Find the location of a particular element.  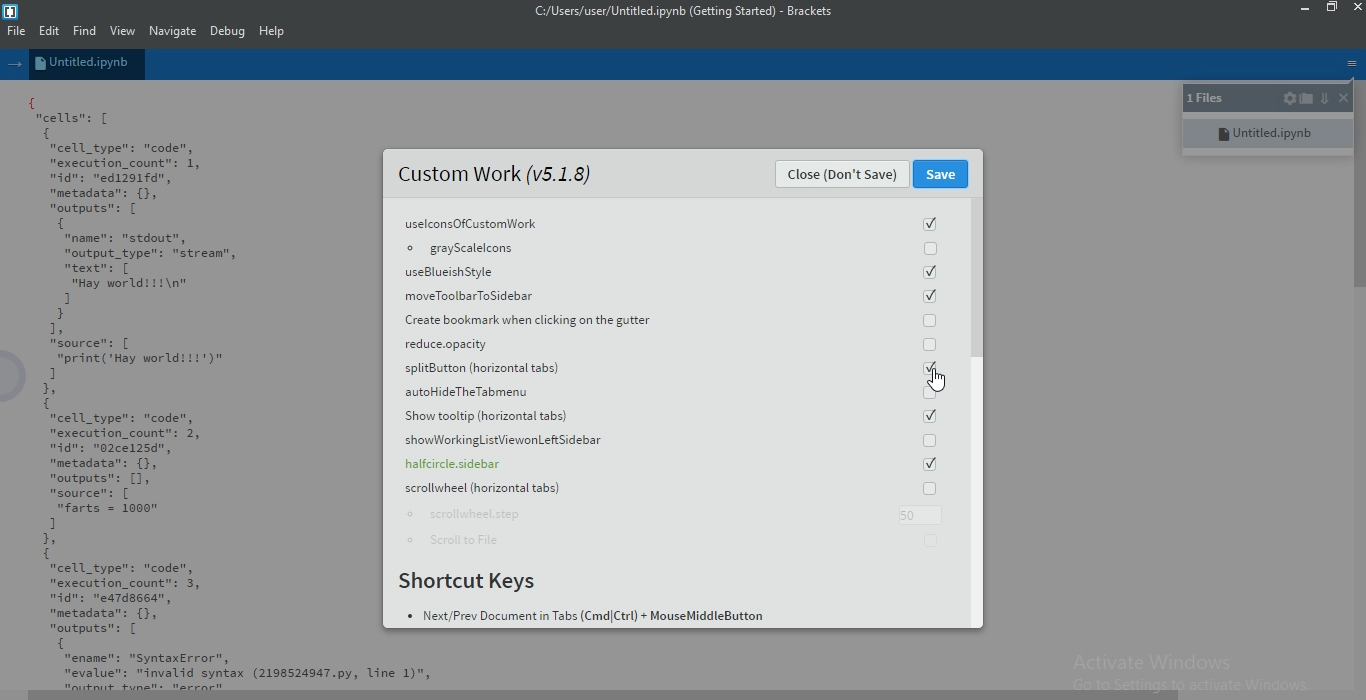

View is located at coordinates (124, 30).